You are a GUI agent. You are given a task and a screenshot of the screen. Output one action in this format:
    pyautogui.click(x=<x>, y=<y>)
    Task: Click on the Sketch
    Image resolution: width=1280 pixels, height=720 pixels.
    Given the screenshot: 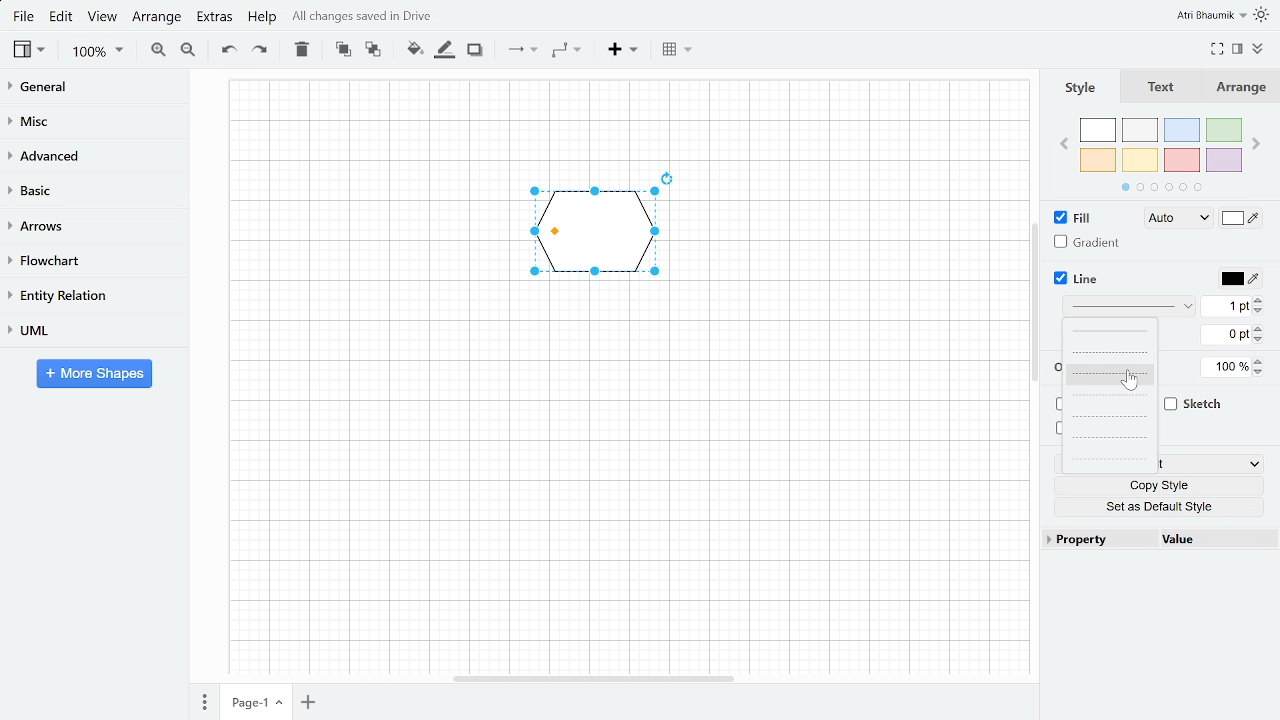 What is the action you would take?
    pyautogui.click(x=1193, y=404)
    